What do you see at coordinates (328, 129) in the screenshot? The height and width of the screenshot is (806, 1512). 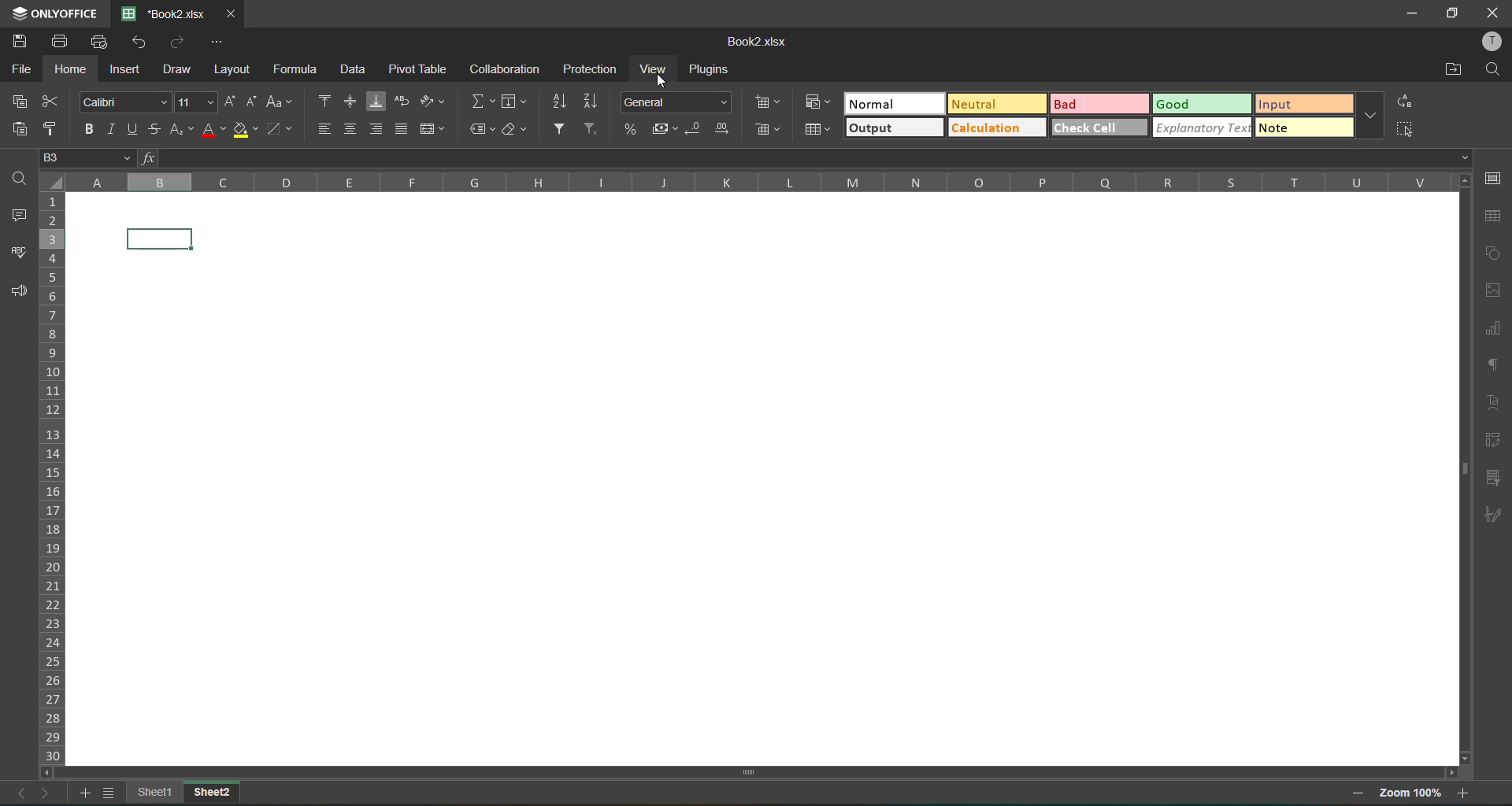 I see `align left` at bounding box center [328, 129].